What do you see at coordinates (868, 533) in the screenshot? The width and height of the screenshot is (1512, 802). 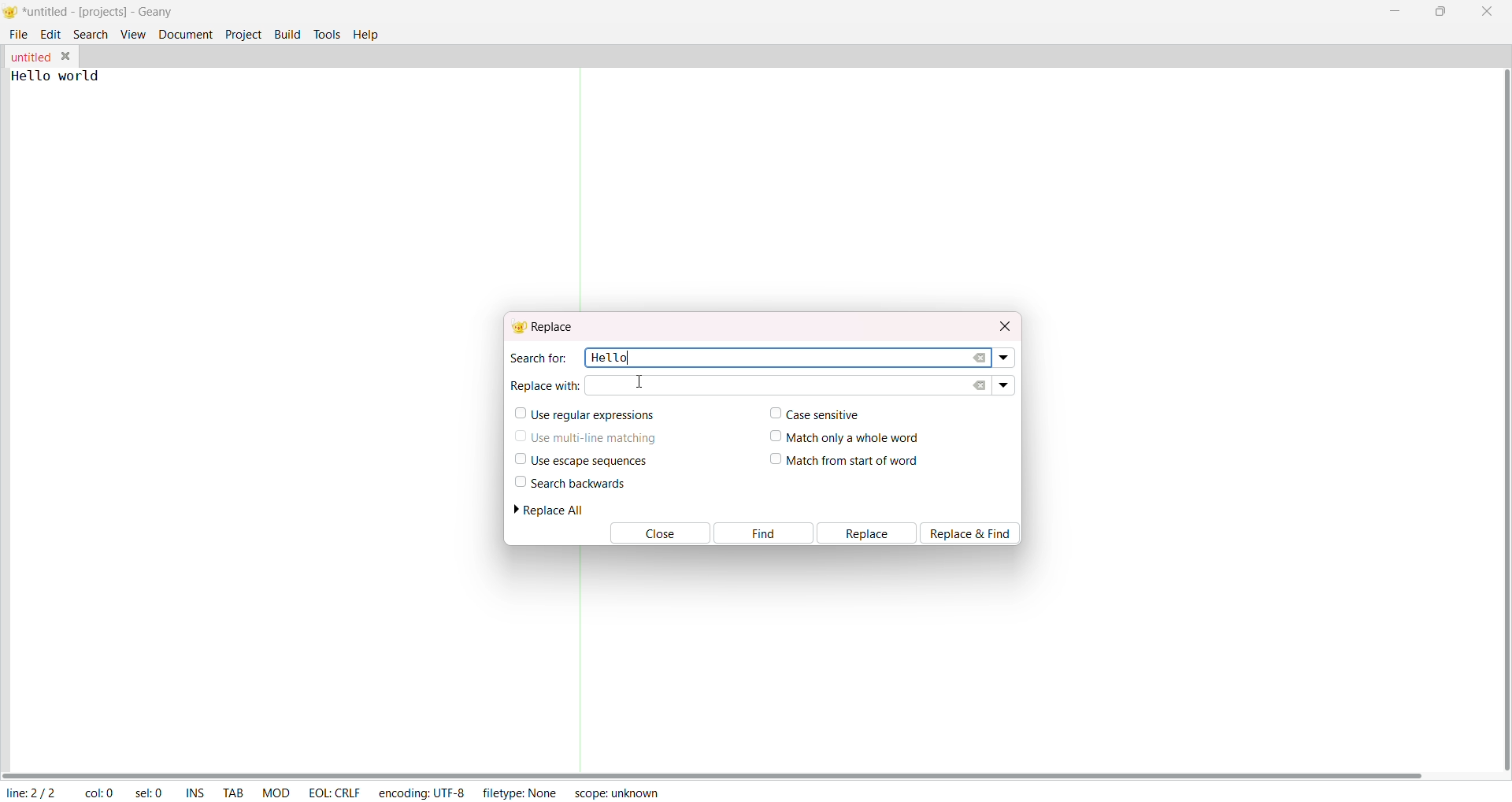 I see `replace` at bounding box center [868, 533].